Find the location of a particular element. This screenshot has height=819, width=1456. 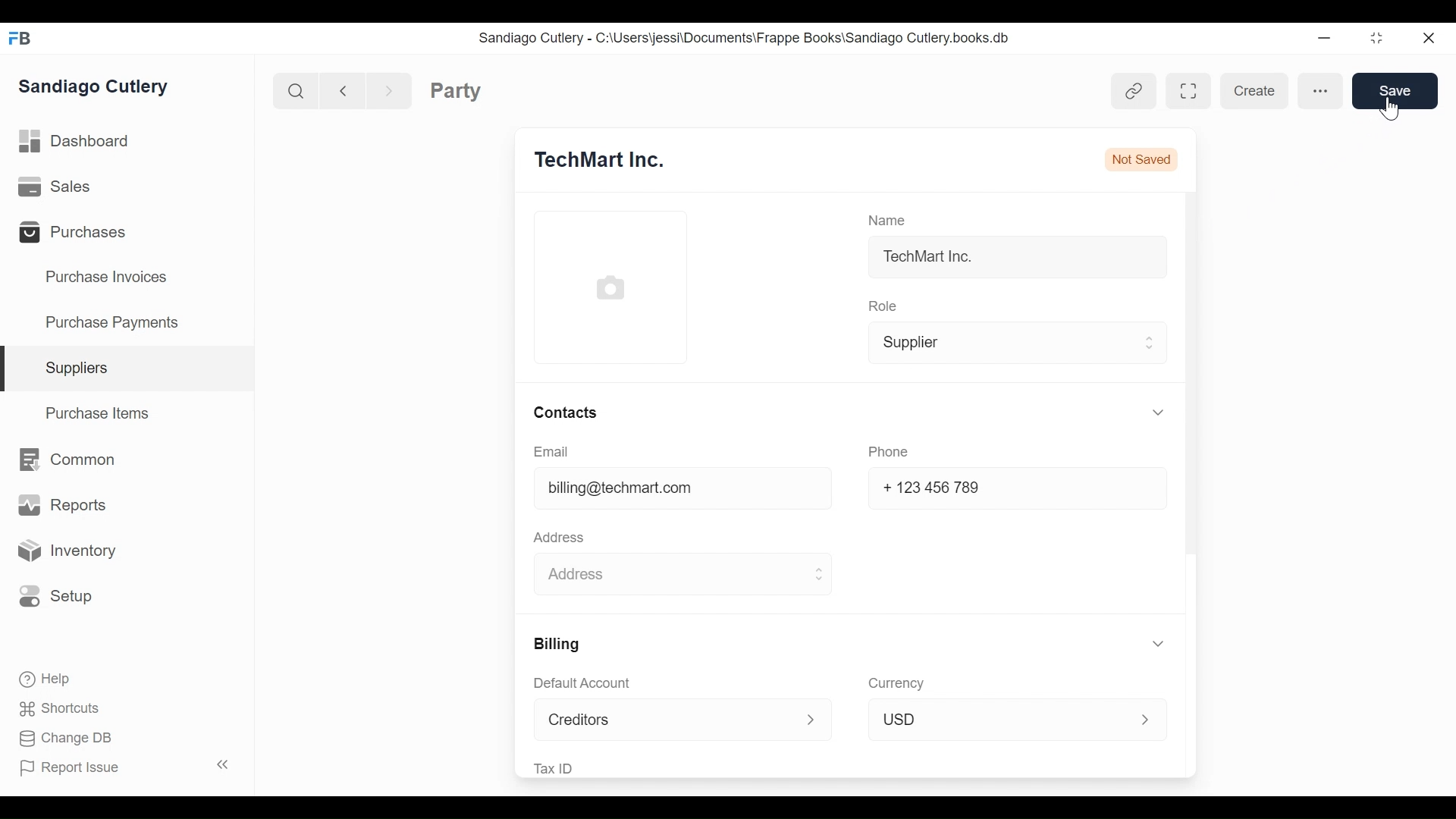

Change DB is located at coordinates (72, 737).